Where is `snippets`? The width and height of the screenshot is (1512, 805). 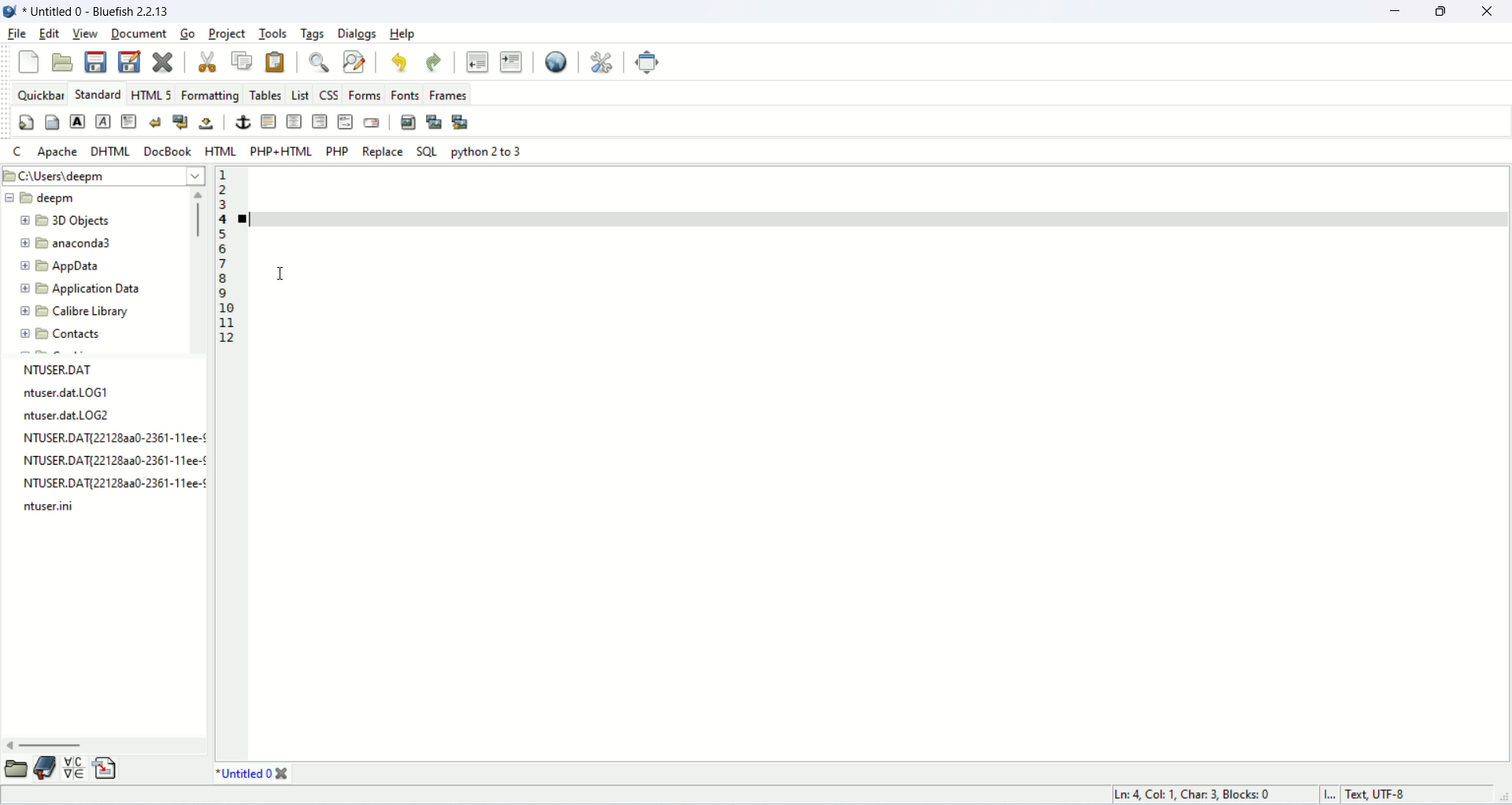
snippets is located at coordinates (108, 771).